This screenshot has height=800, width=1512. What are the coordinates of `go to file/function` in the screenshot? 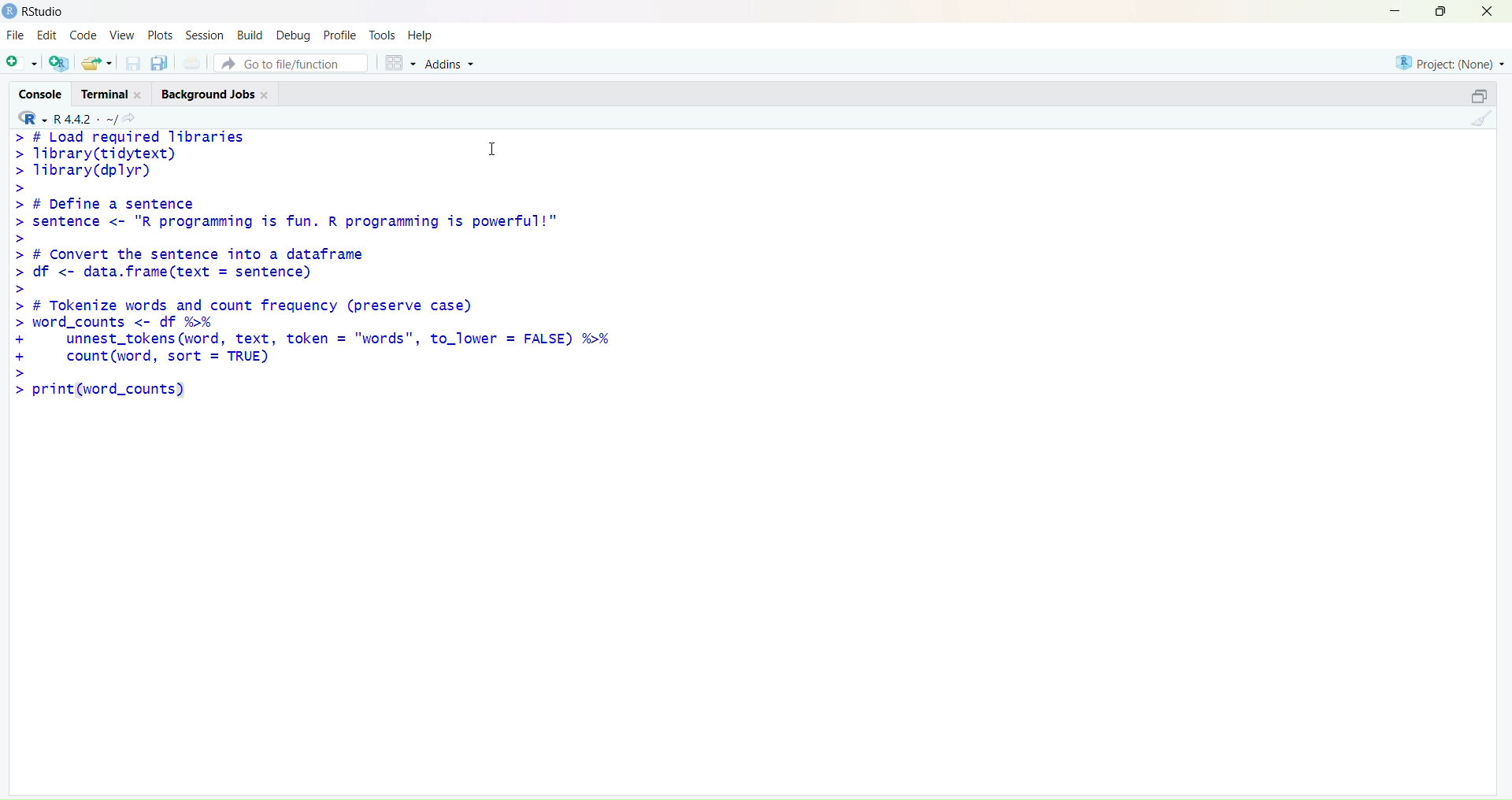 It's located at (291, 64).